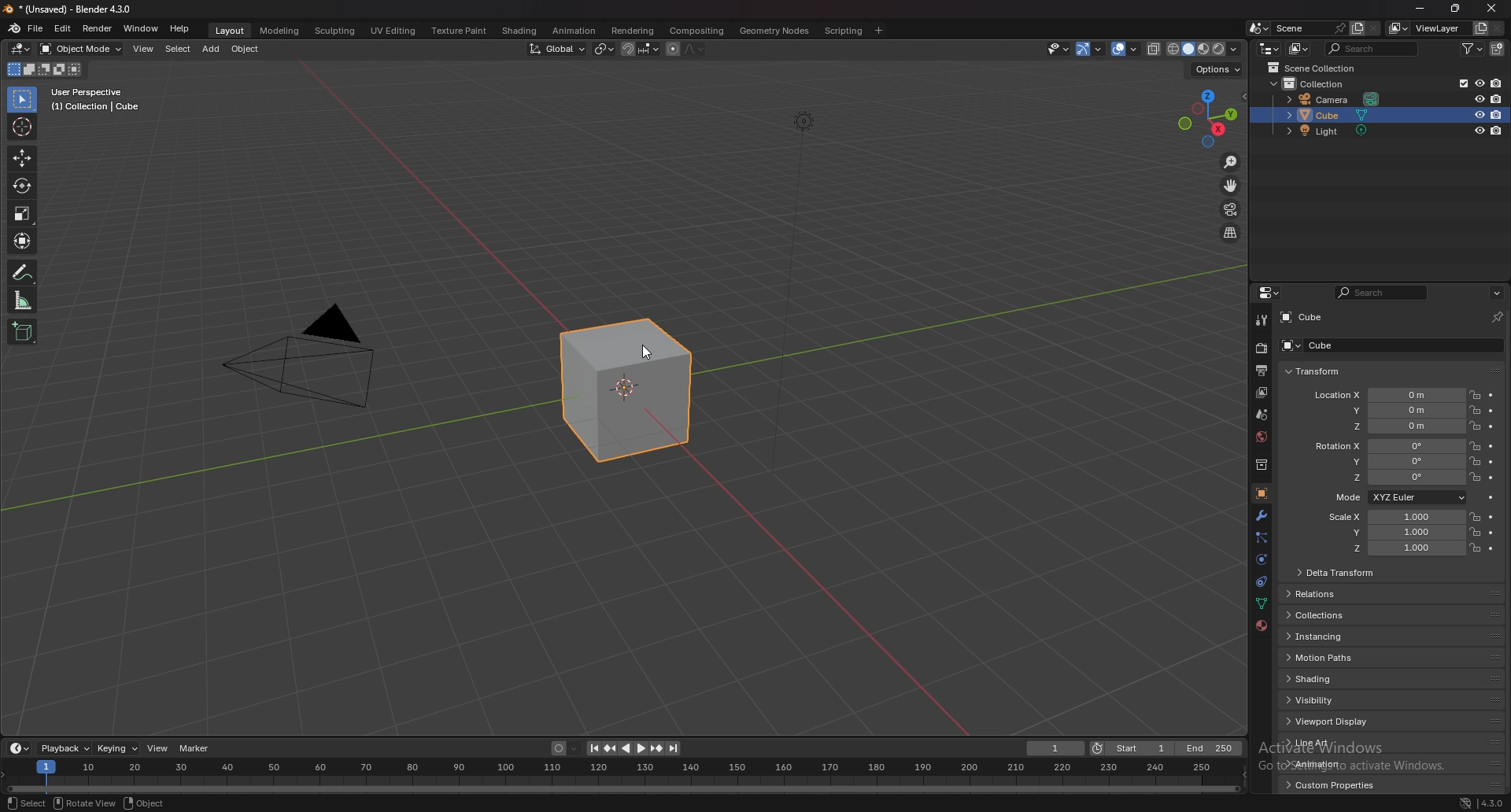 This screenshot has height=812, width=1511. Describe the element at coordinates (1466, 803) in the screenshot. I see `network` at that location.